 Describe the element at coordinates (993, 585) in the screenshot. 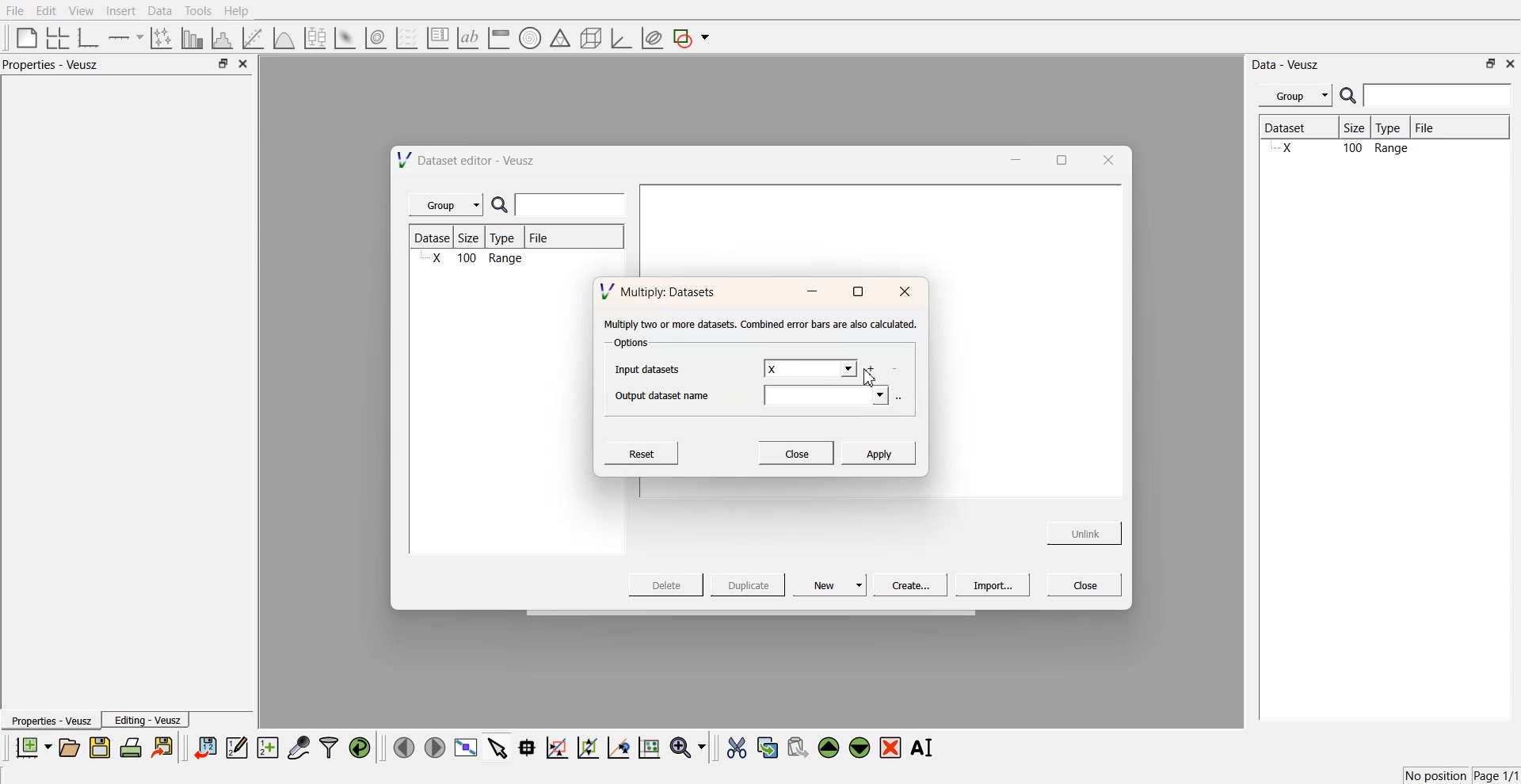

I see `Import...` at that location.